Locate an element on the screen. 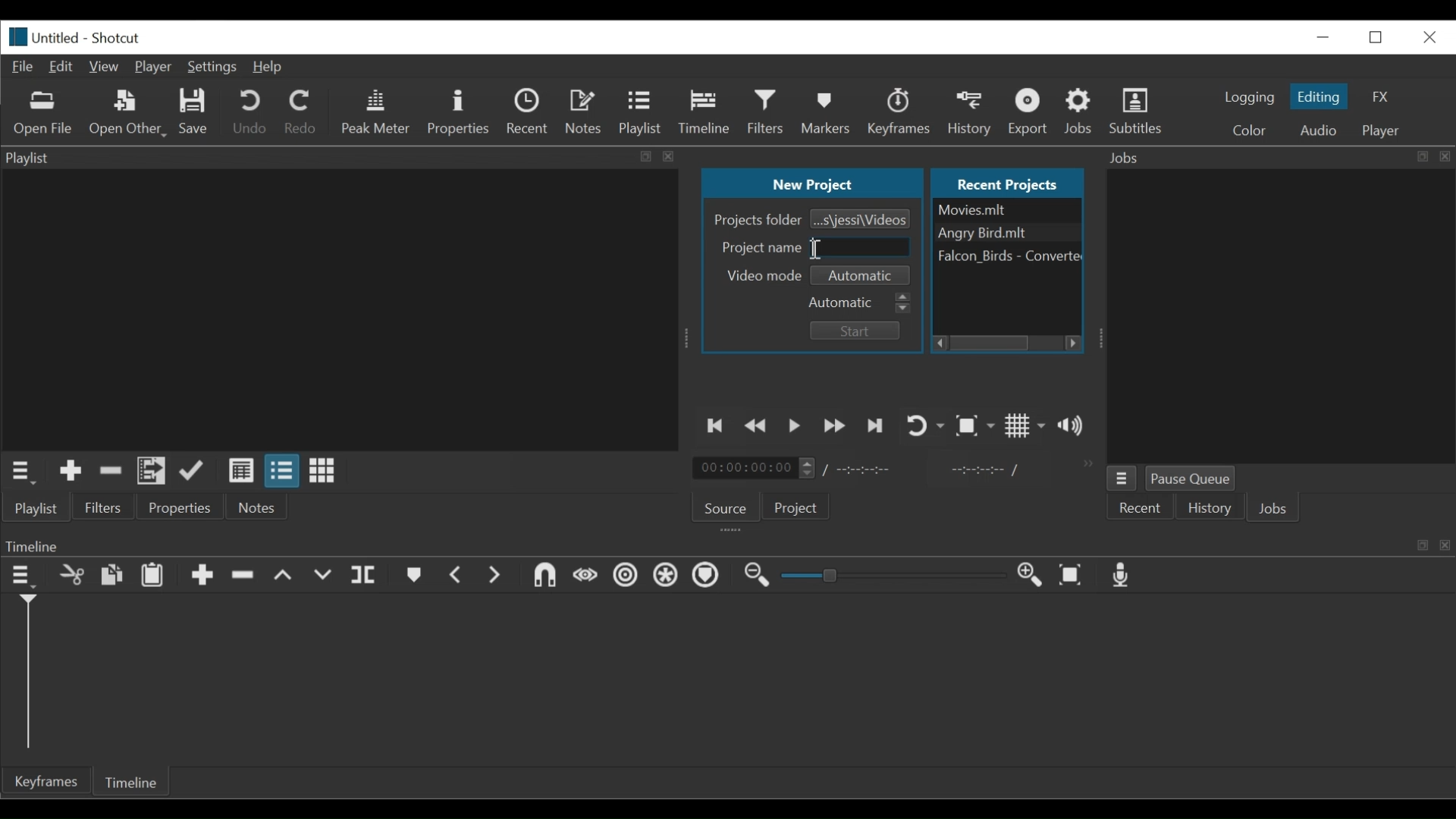  Undo is located at coordinates (252, 111).